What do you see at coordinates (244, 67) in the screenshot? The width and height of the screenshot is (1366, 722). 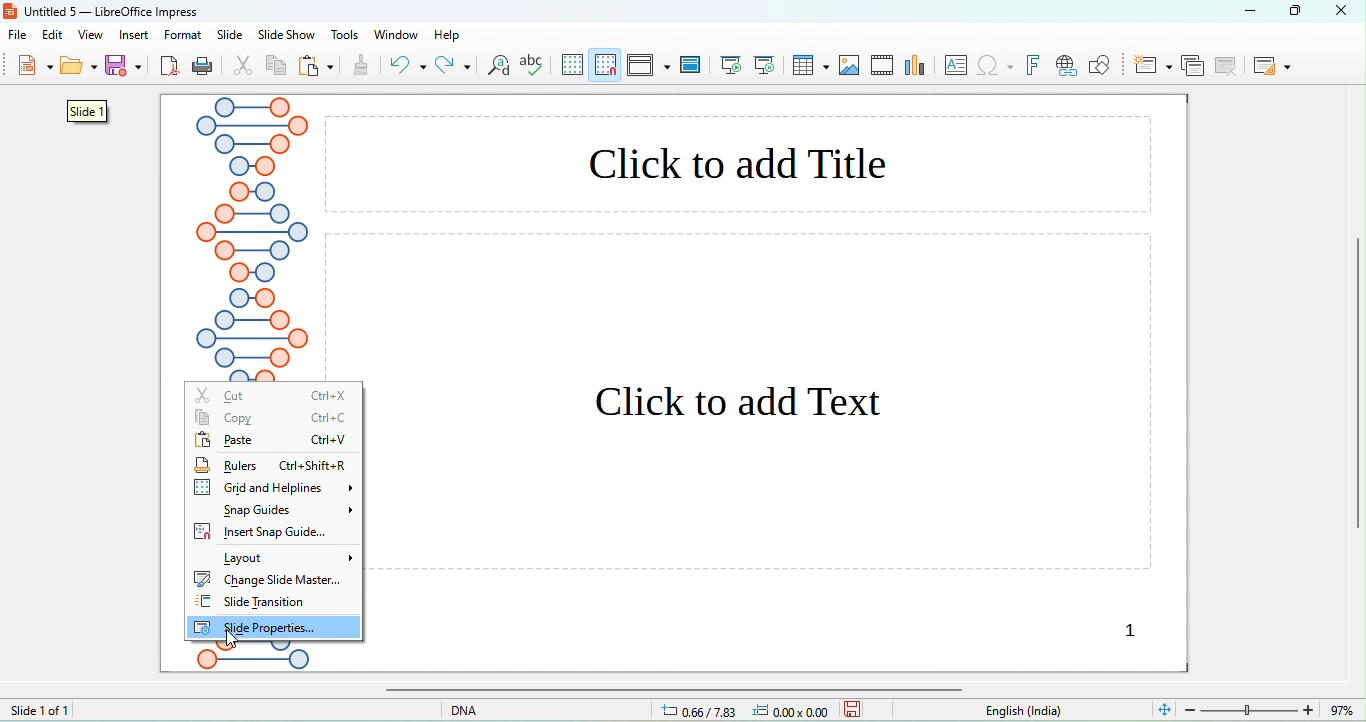 I see `cut` at bounding box center [244, 67].